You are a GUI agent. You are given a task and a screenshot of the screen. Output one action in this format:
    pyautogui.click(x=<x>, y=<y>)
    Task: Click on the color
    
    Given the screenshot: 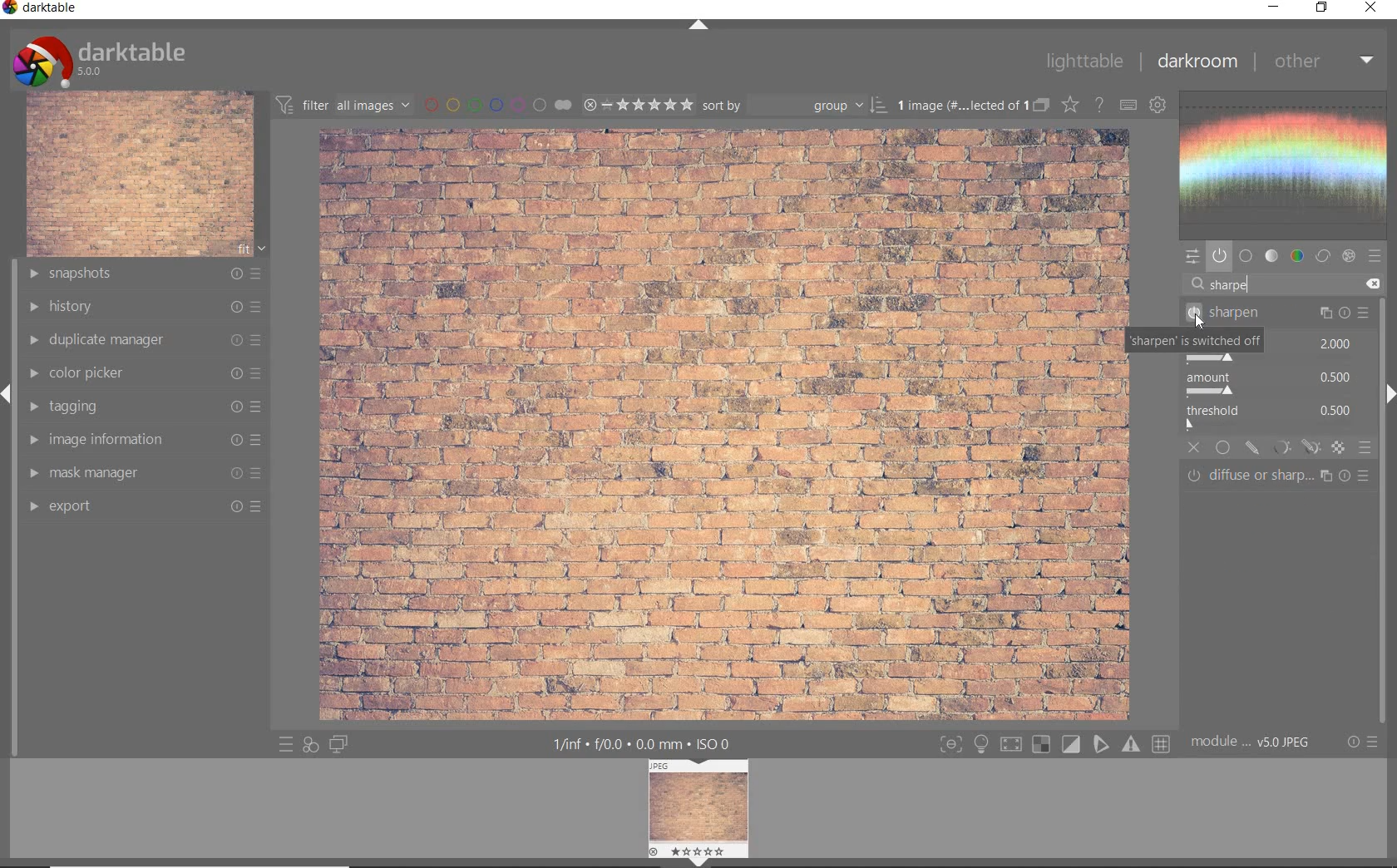 What is the action you would take?
    pyautogui.click(x=1296, y=256)
    